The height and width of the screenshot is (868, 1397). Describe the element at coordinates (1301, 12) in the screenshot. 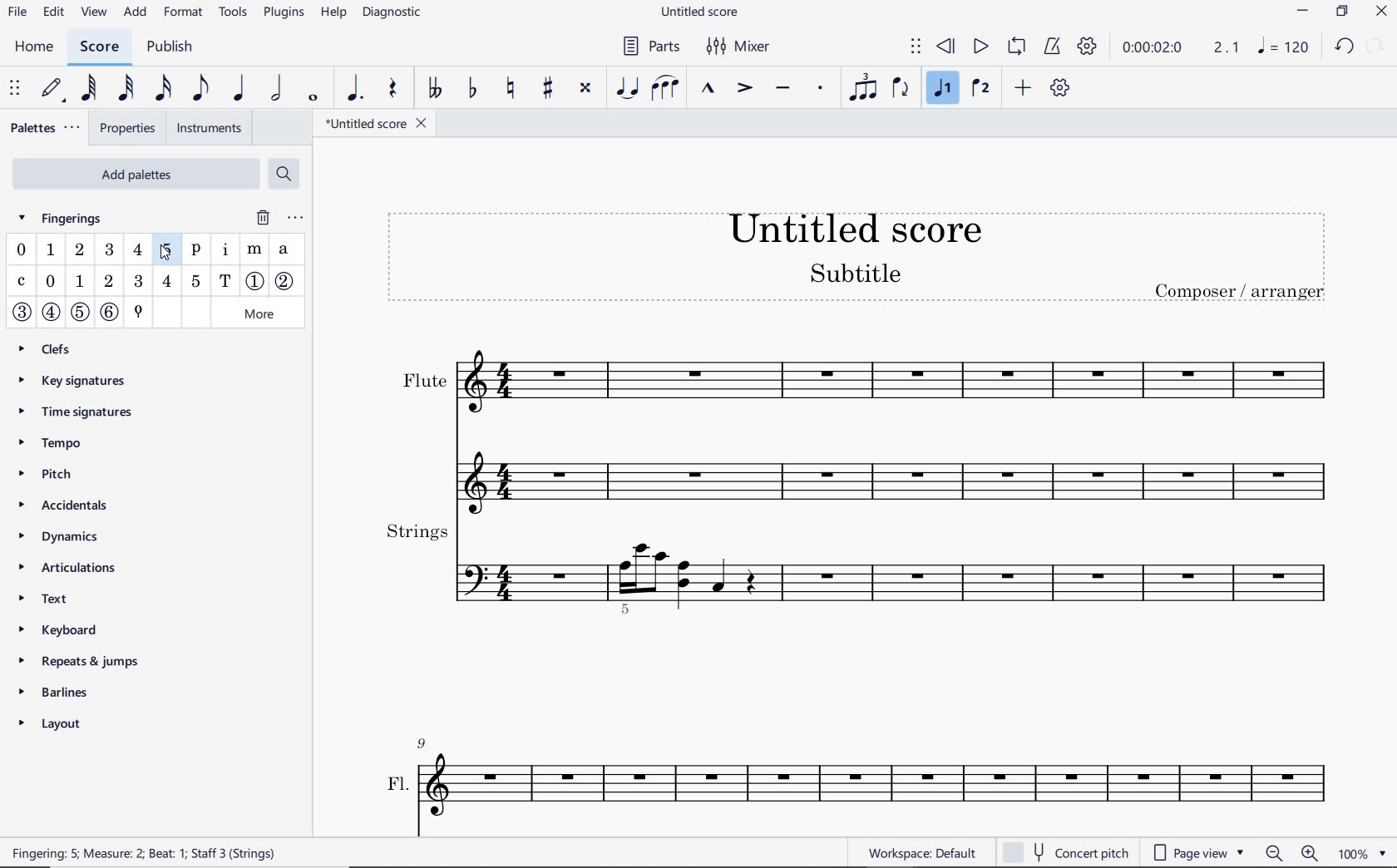

I see `MINIMIZE` at that location.